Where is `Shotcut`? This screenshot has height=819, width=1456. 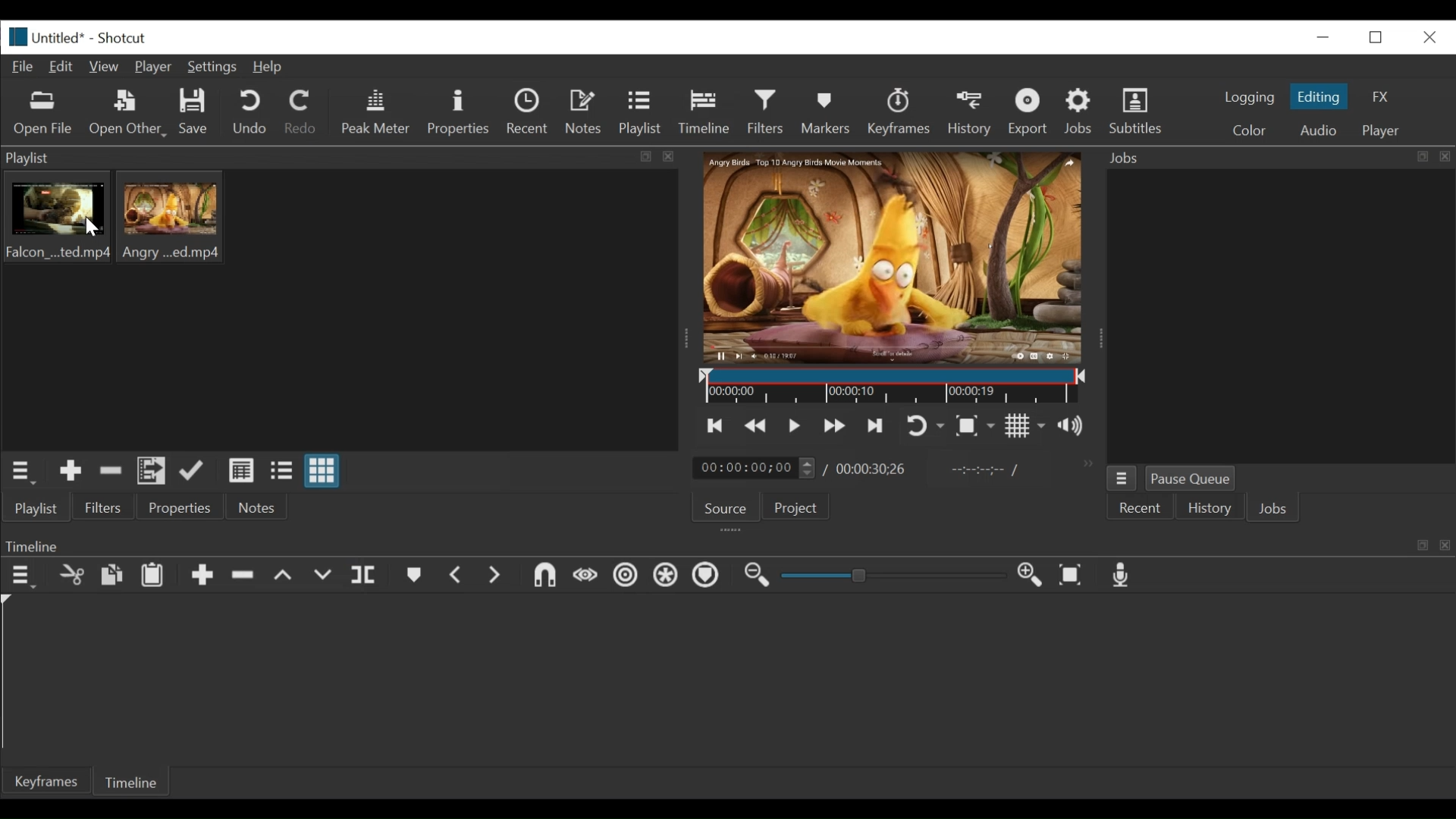
Shotcut is located at coordinates (121, 39).